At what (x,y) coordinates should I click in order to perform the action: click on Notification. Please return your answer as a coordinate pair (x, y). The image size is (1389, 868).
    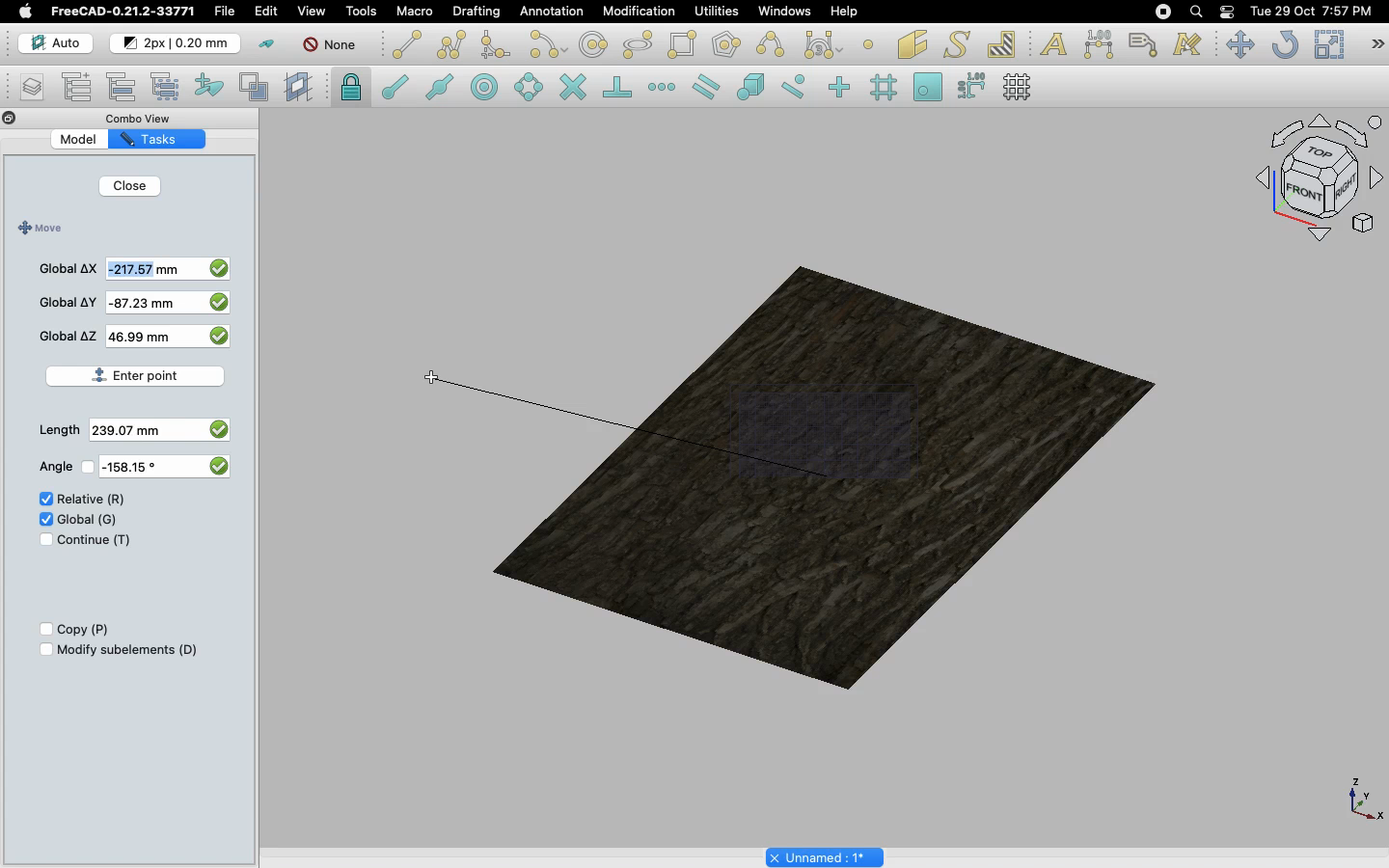
    Looking at the image, I should click on (1229, 11).